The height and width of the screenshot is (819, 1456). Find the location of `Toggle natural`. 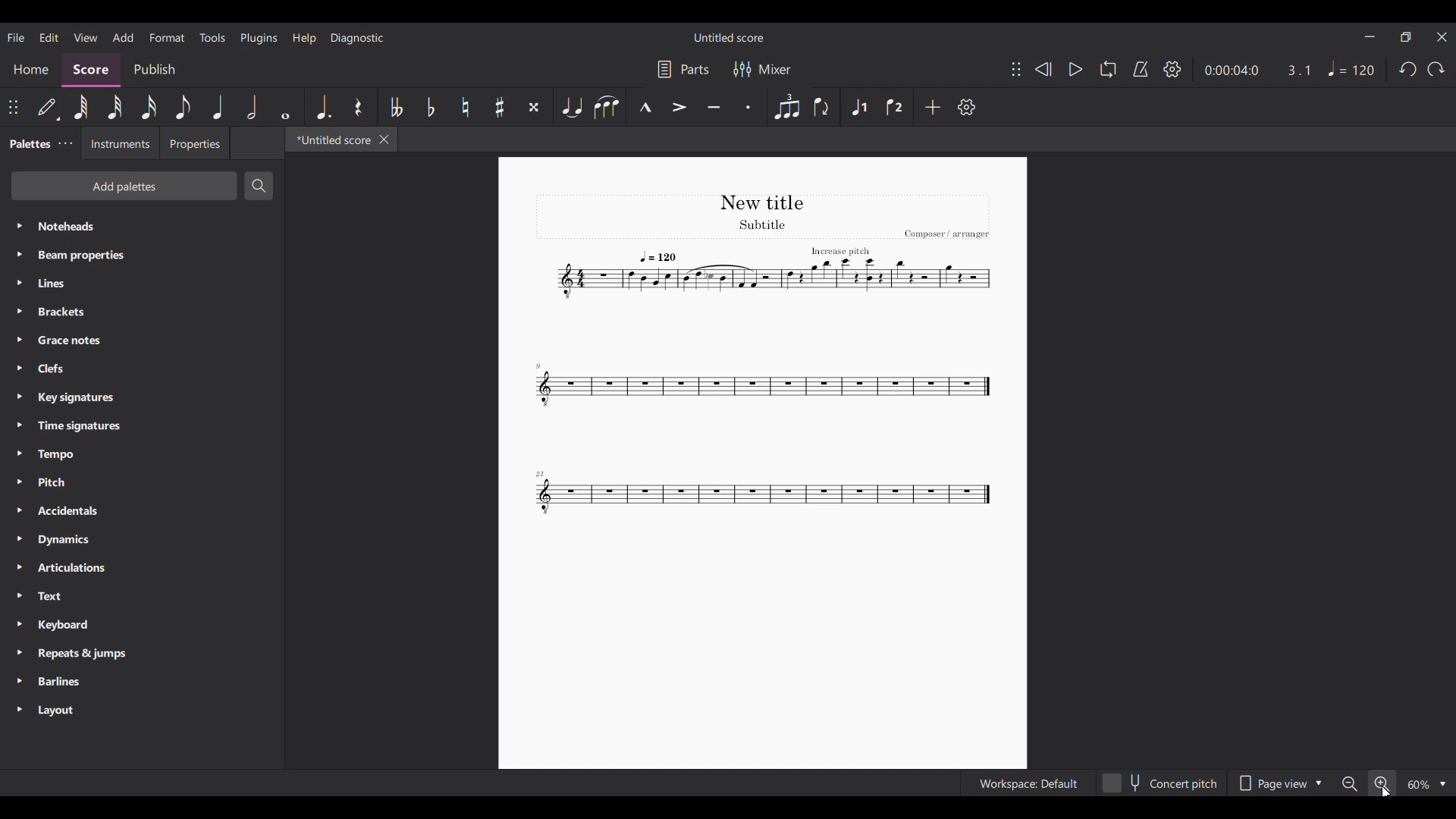

Toggle natural is located at coordinates (465, 108).